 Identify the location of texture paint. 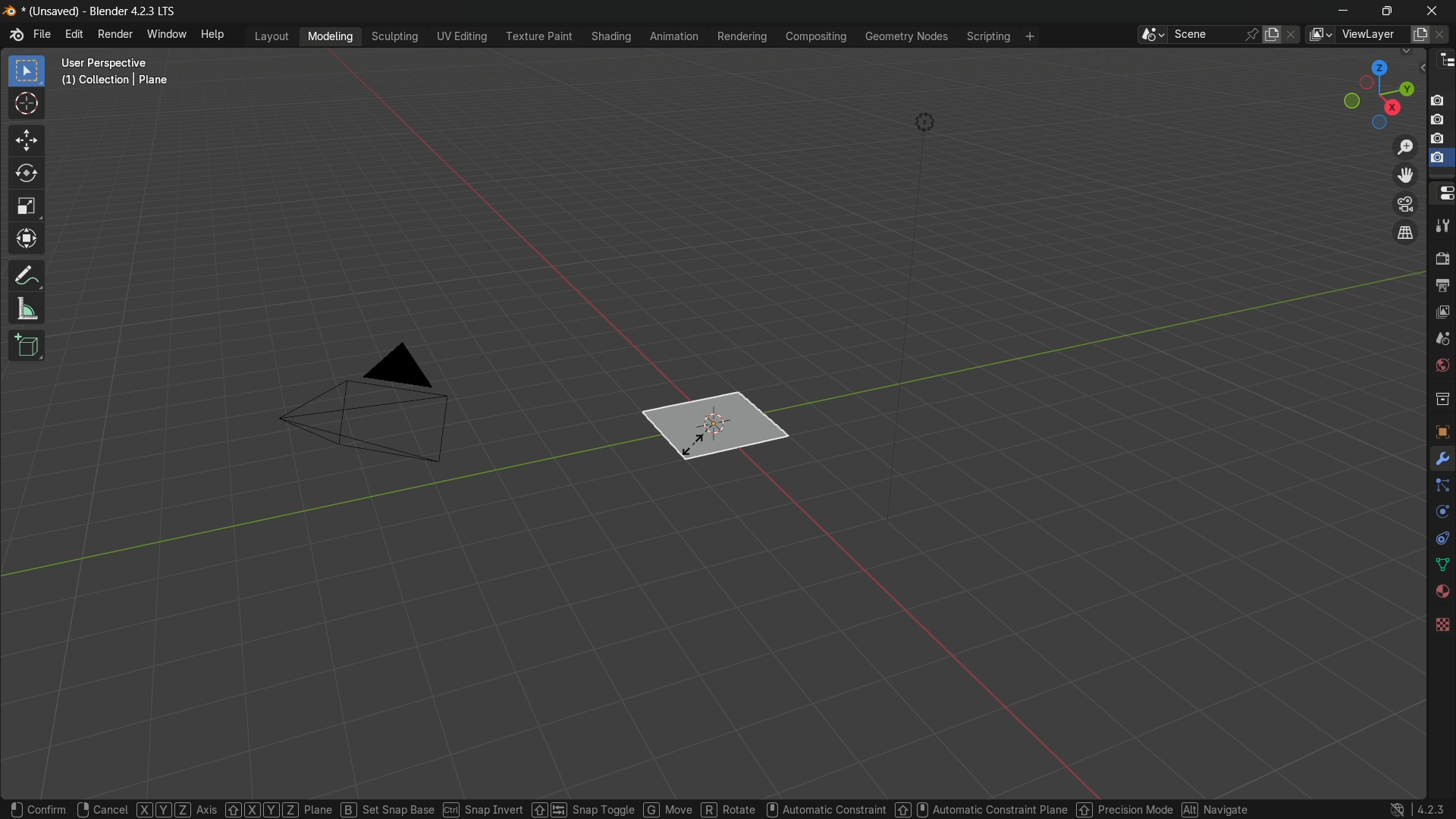
(539, 36).